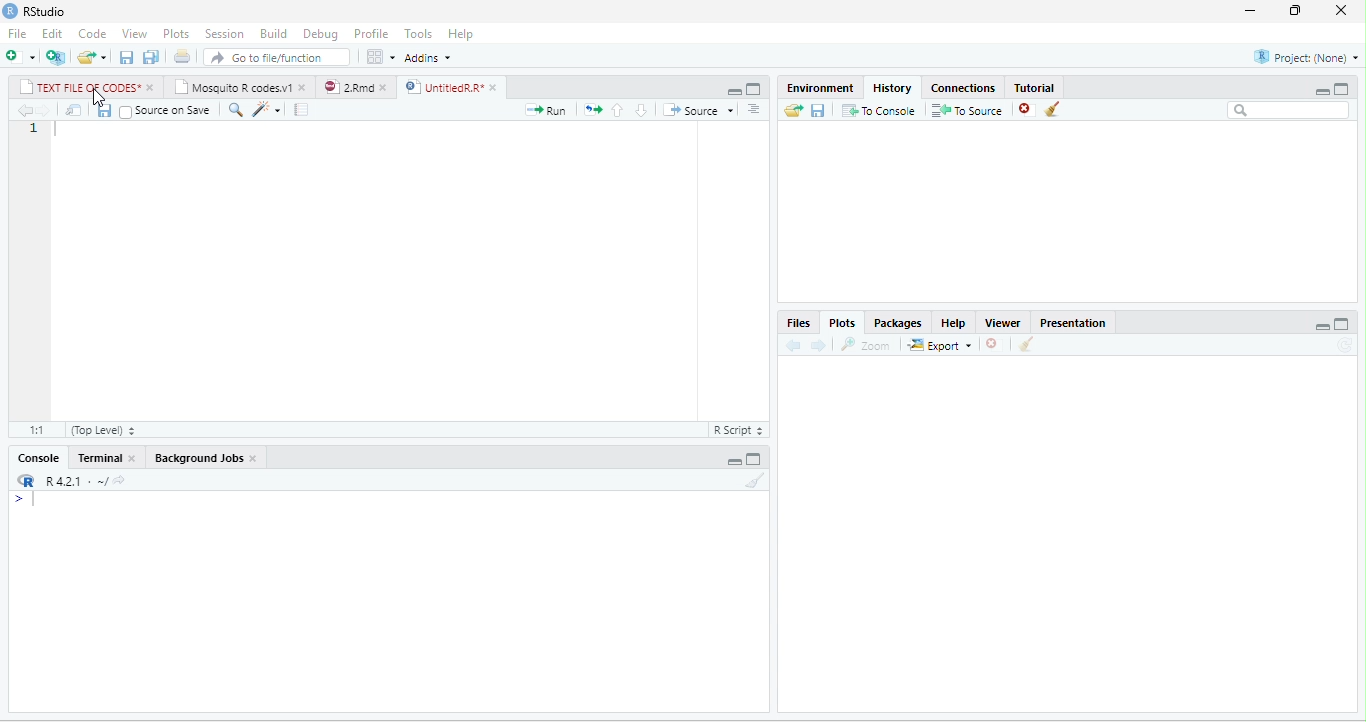 This screenshot has height=722, width=1366. Describe the element at coordinates (225, 34) in the screenshot. I see `Session` at that location.